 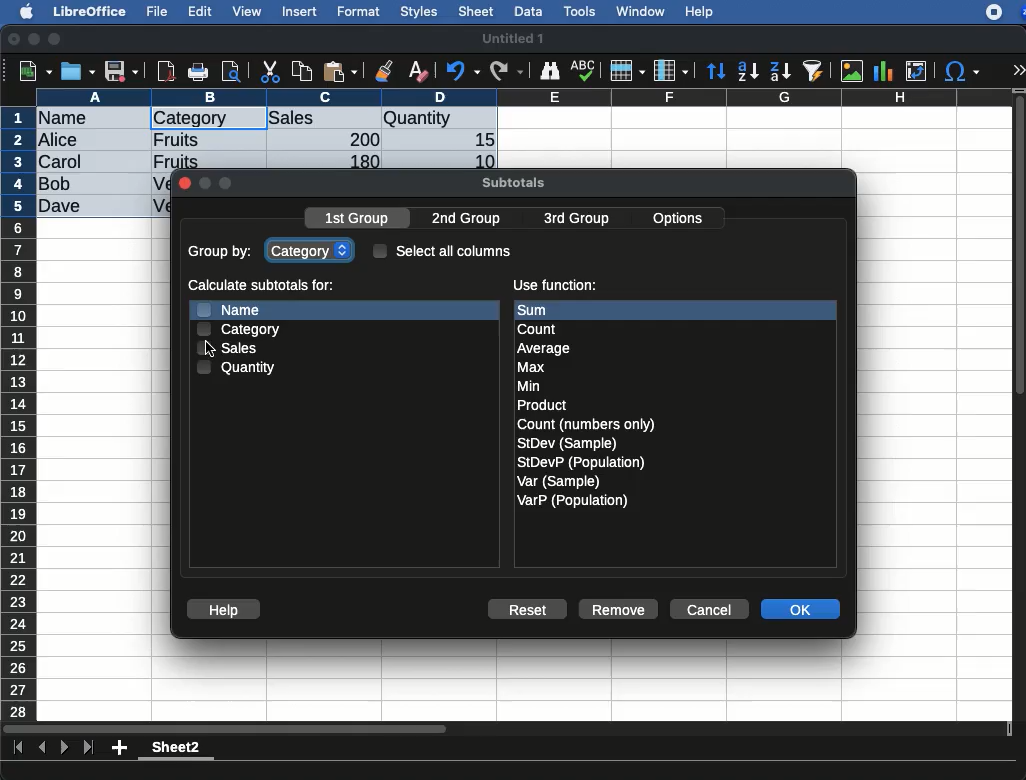 What do you see at coordinates (359, 220) in the screenshot?
I see `1st group` at bounding box center [359, 220].